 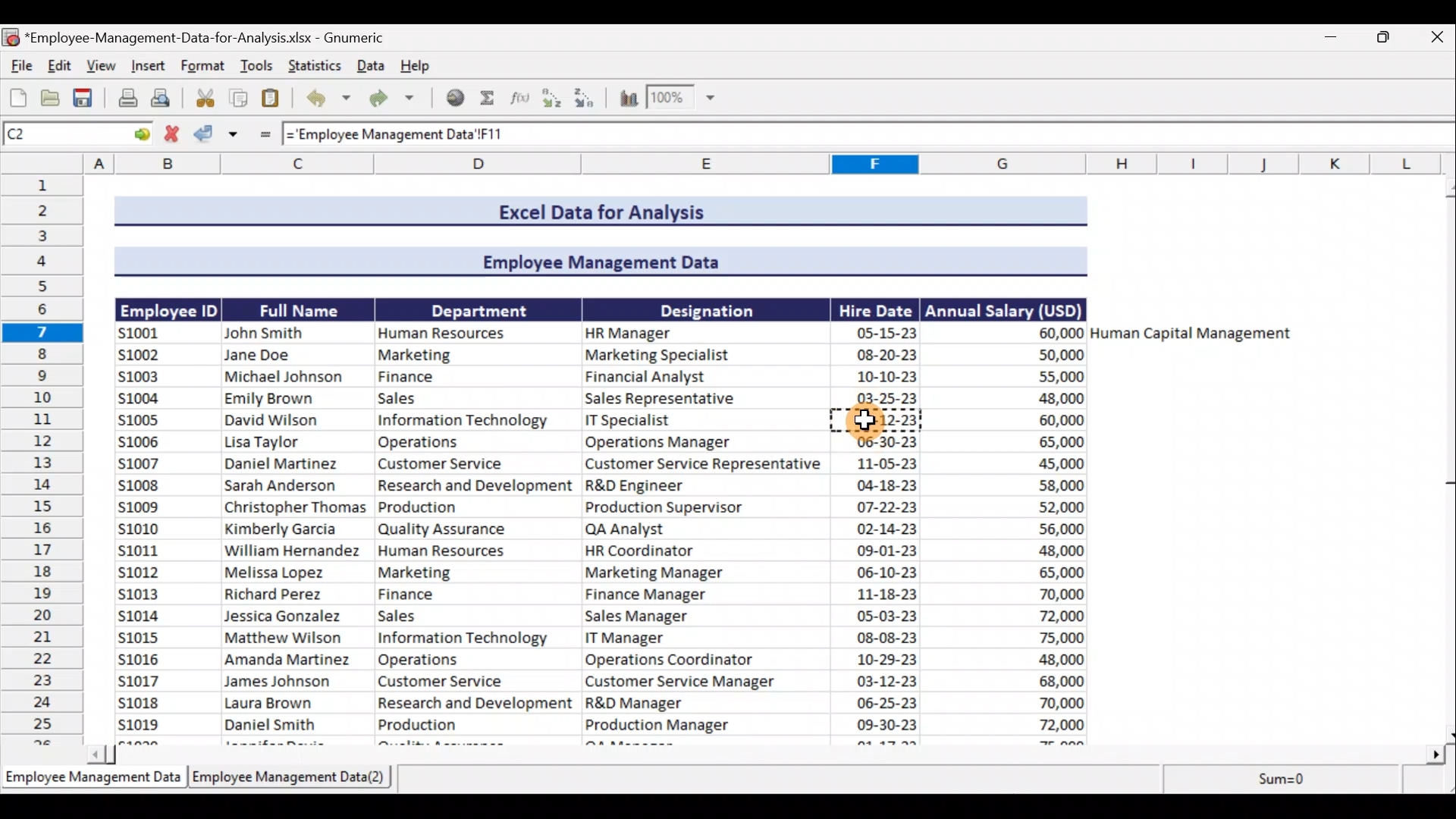 I want to click on Sheet 1, so click(x=93, y=782).